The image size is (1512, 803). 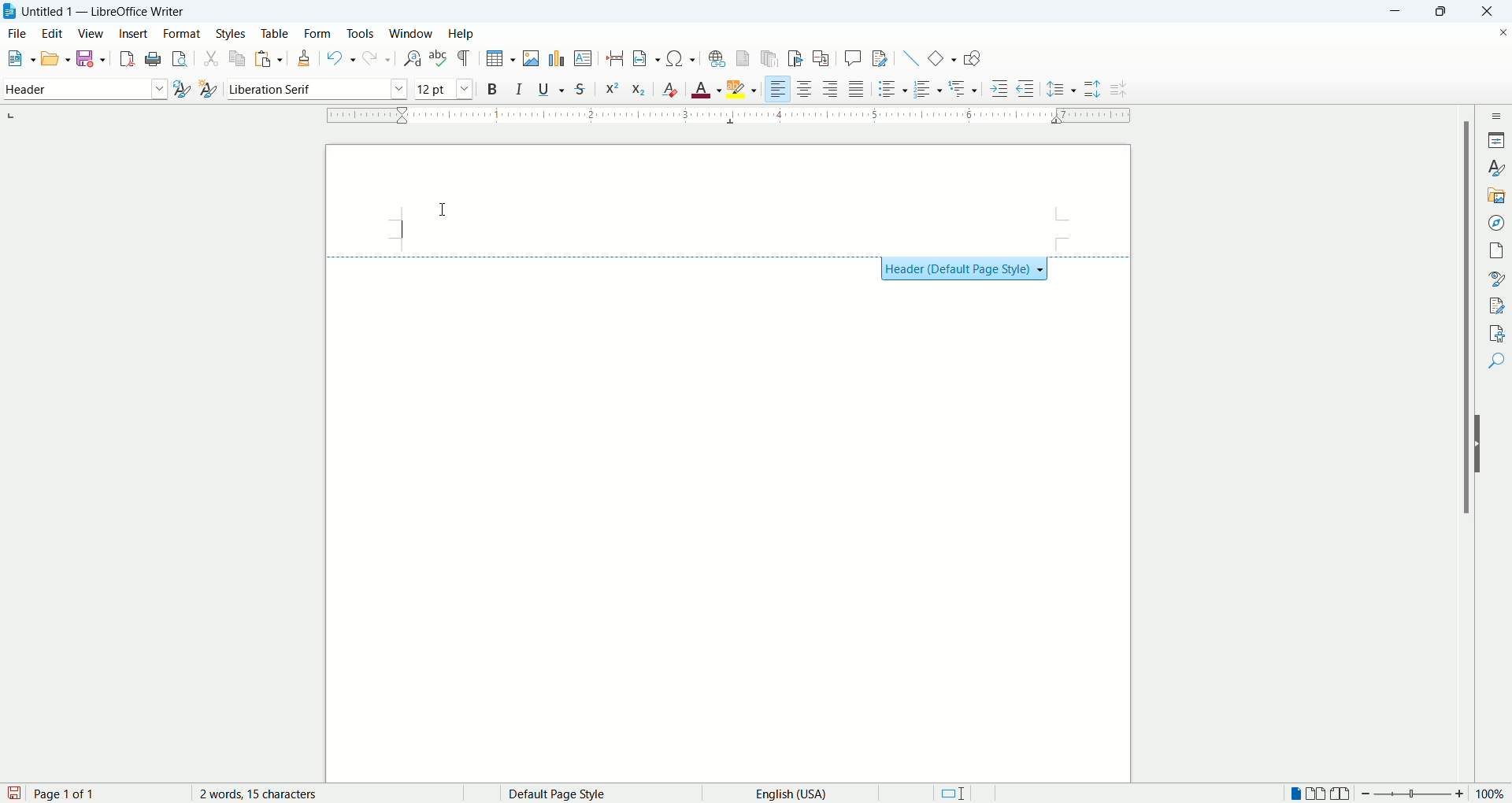 I want to click on zoom percent, so click(x=1493, y=794).